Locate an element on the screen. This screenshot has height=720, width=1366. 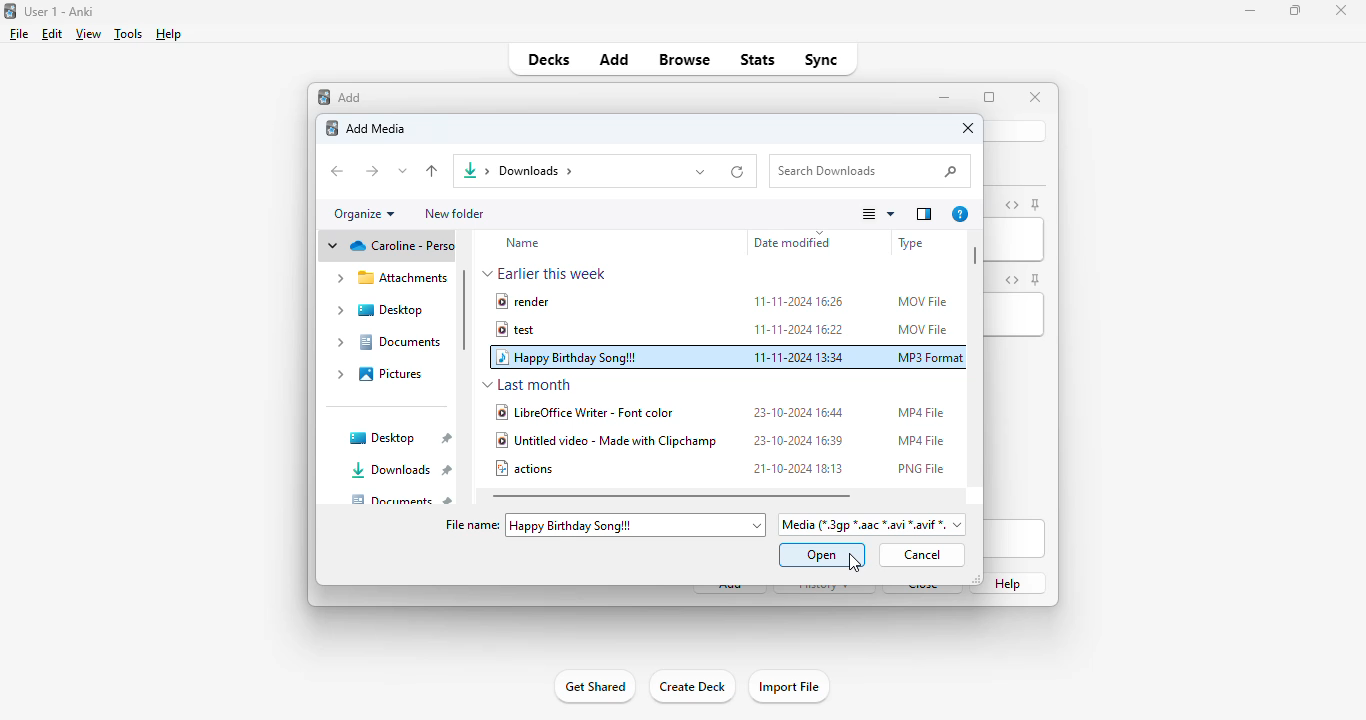
close is located at coordinates (1341, 10).